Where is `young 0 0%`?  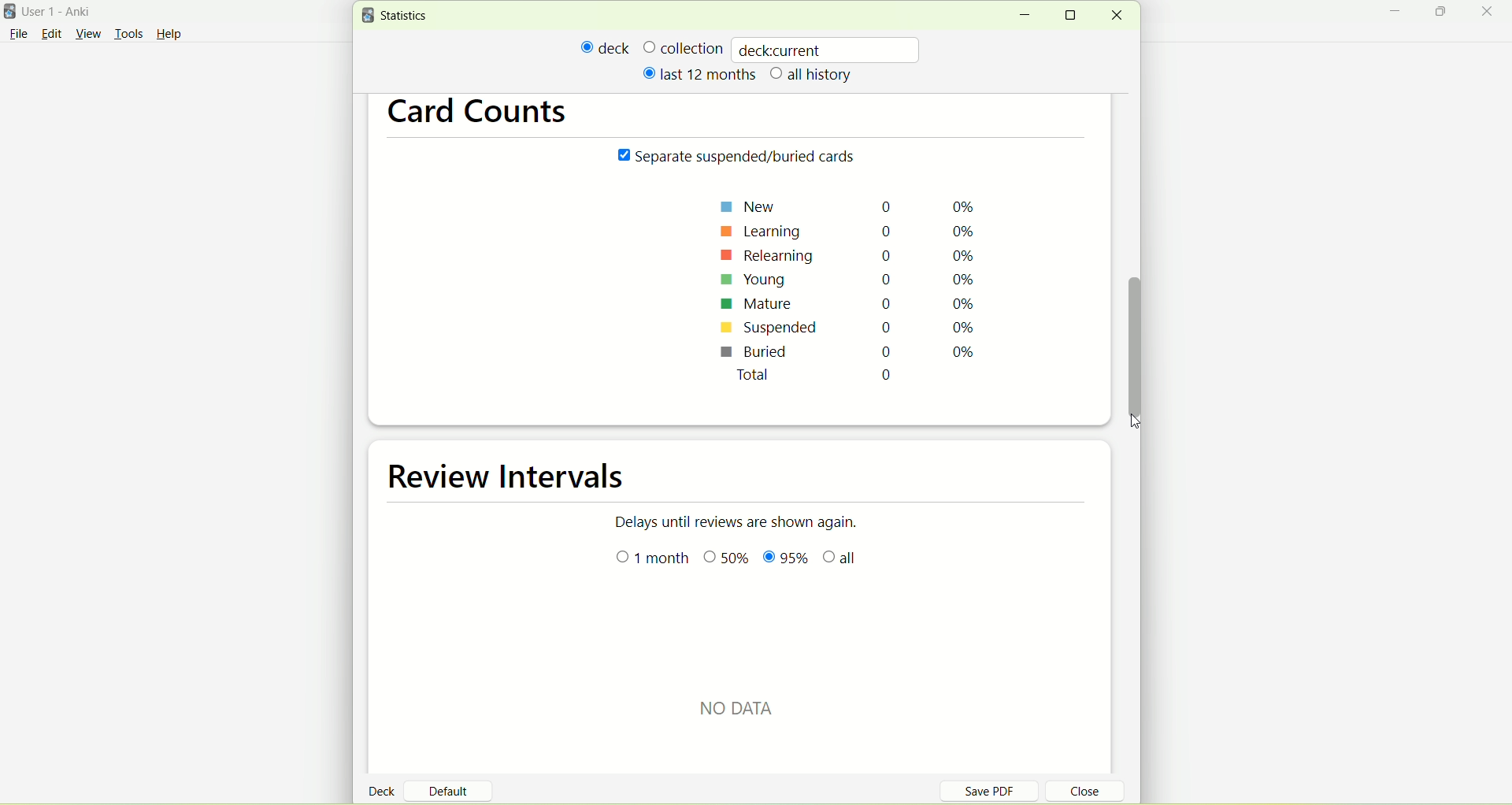
young 0 0% is located at coordinates (850, 280).